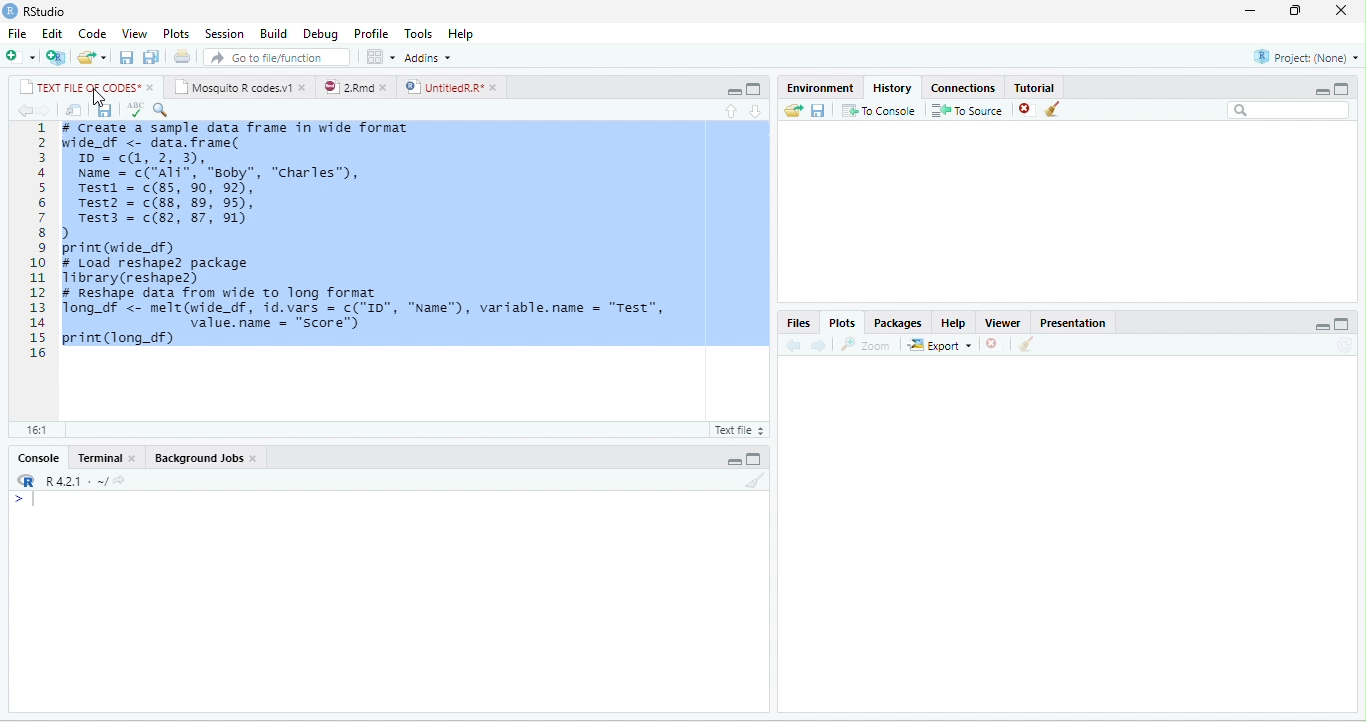  I want to click on Packages, so click(899, 323).